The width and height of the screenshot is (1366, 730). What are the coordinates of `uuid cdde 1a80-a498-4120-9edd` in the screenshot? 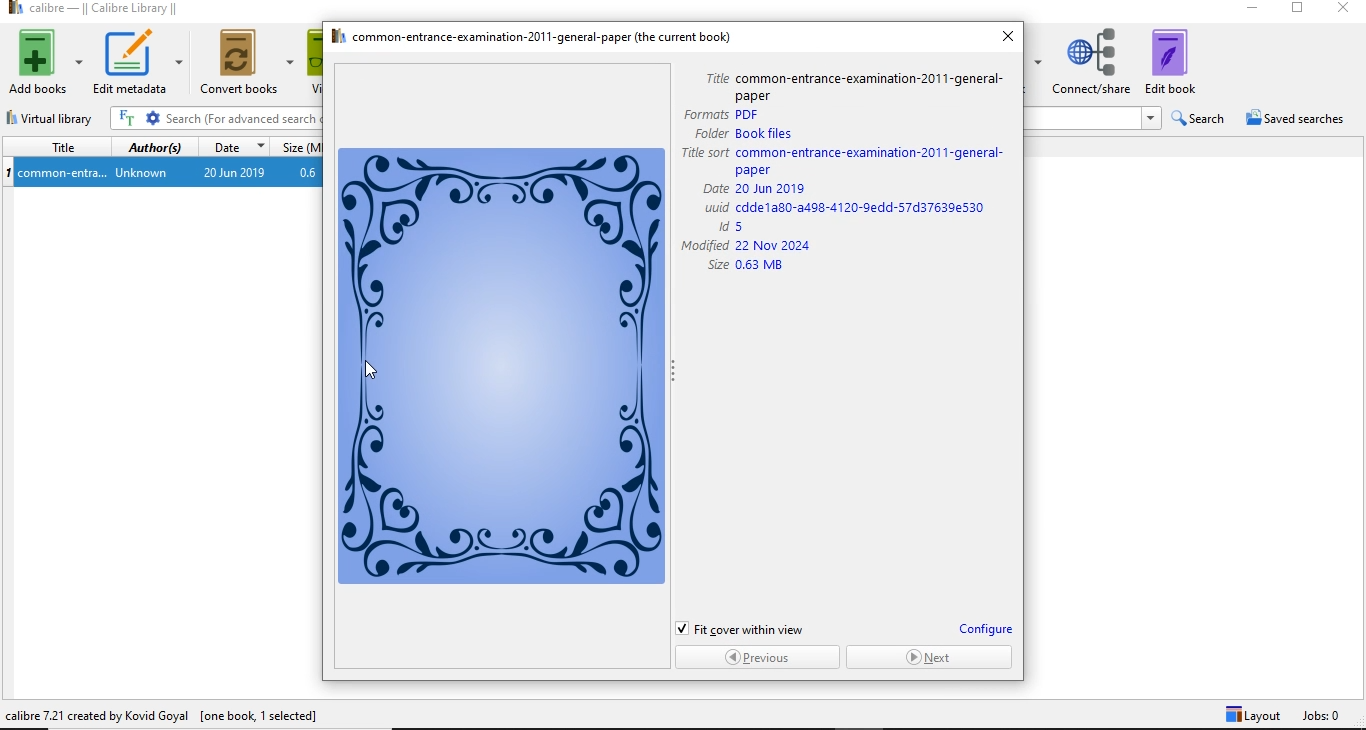 It's located at (847, 207).